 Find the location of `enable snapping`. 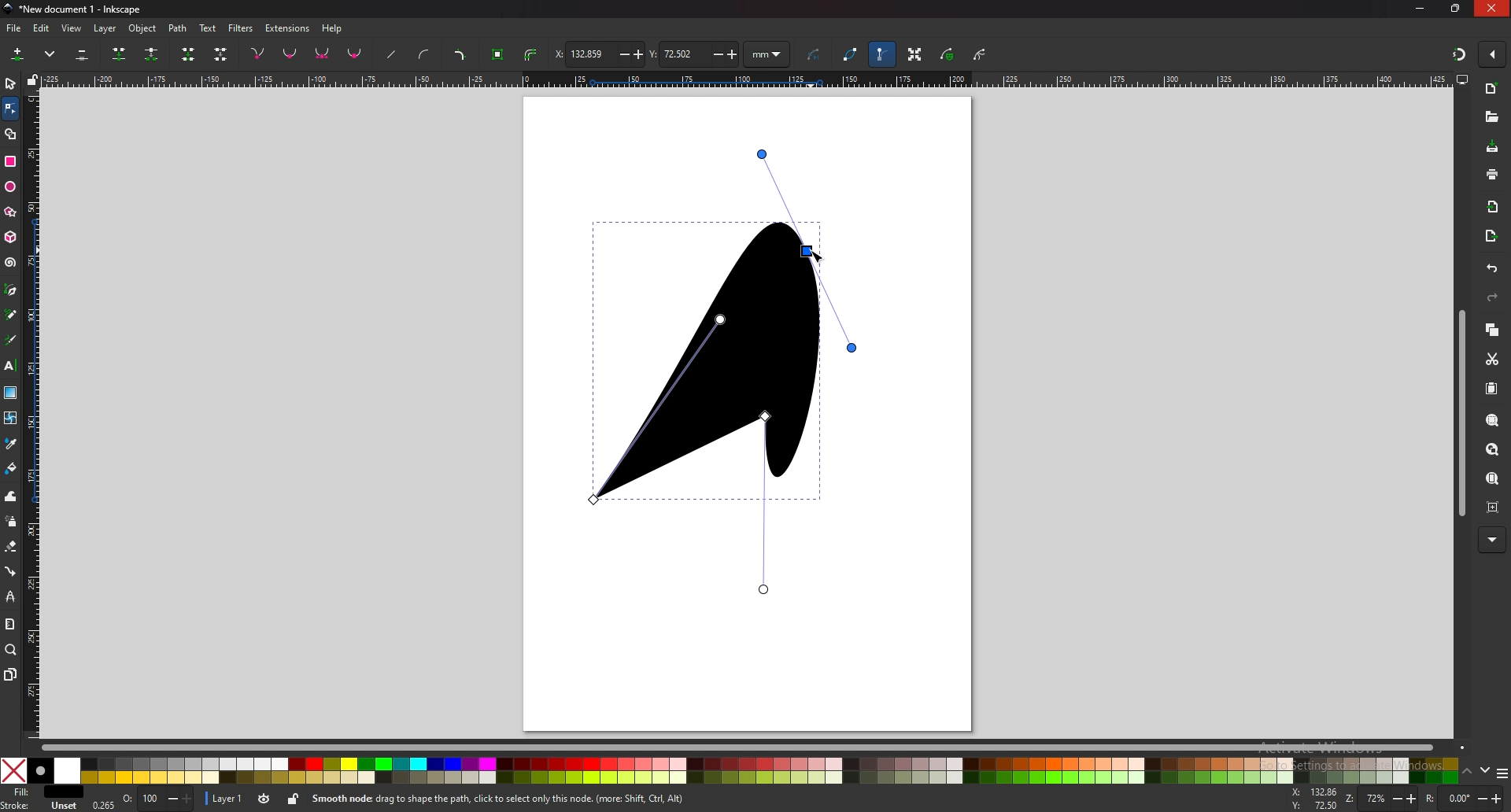

enable snapping is located at coordinates (1492, 53).